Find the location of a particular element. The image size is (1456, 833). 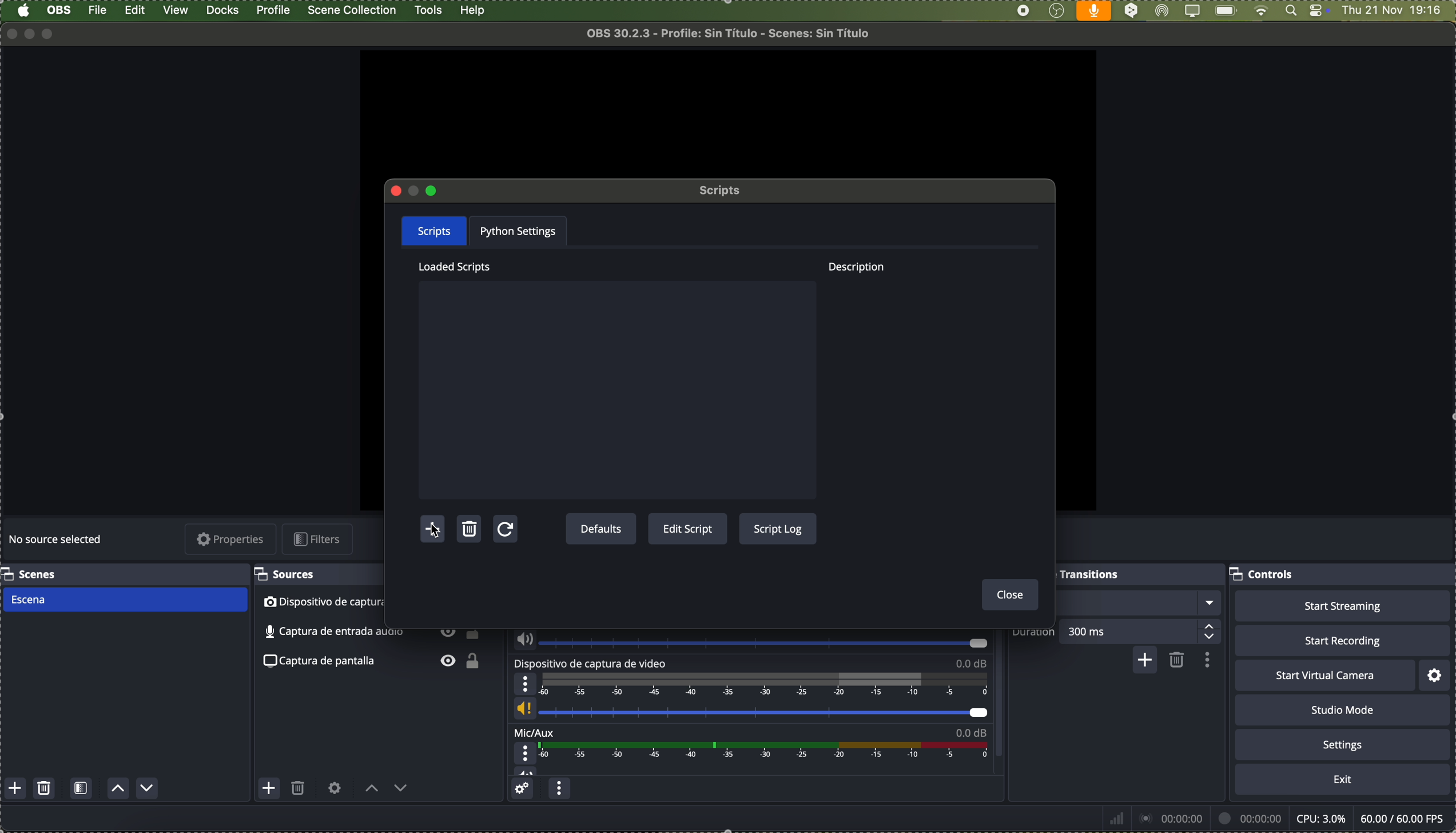

profile is located at coordinates (272, 10).